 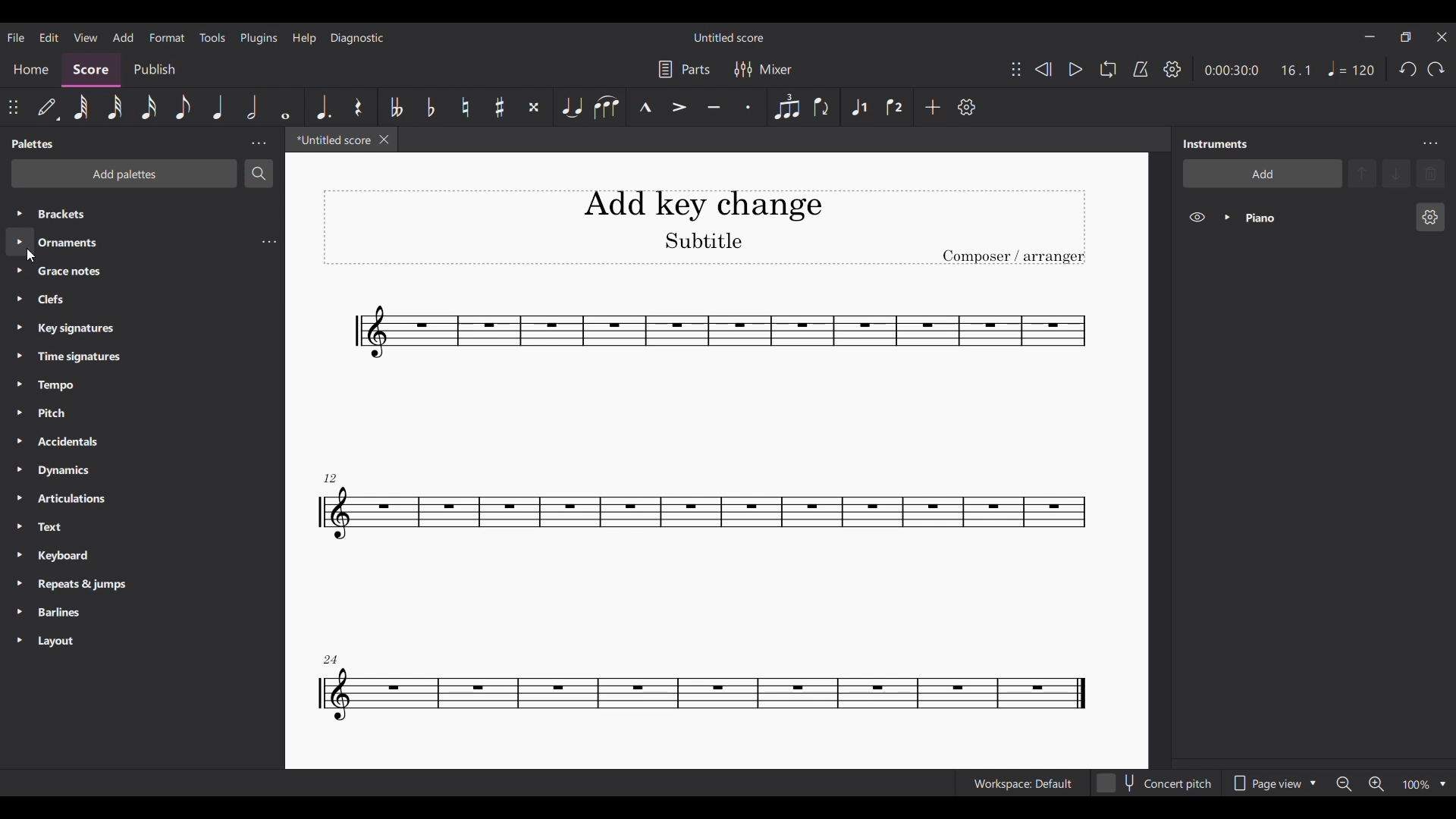 What do you see at coordinates (1075, 70) in the screenshot?
I see `Play` at bounding box center [1075, 70].